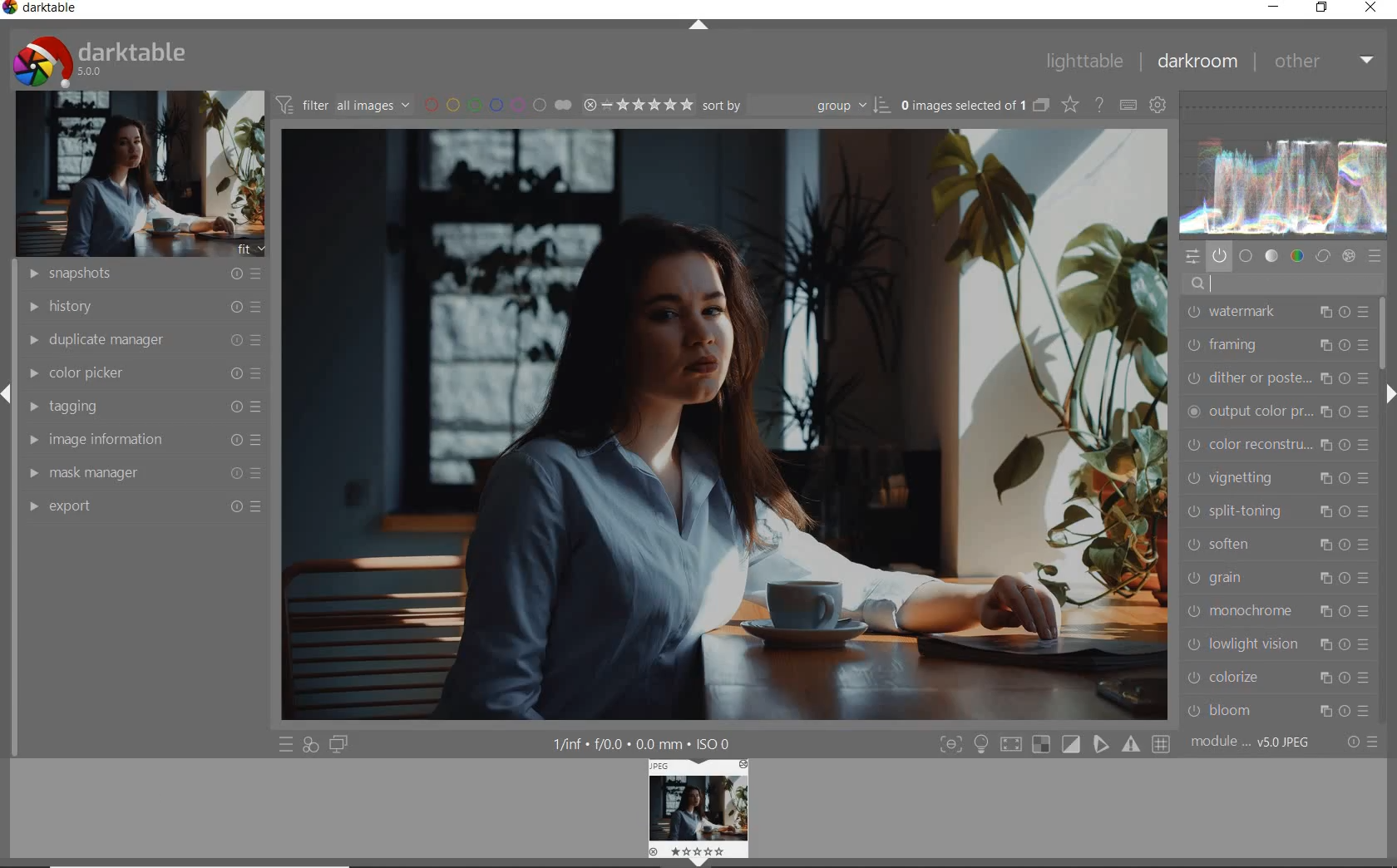 Image resolution: width=1397 pixels, height=868 pixels. What do you see at coordinates (47, 9) in the screenshot?
I see `darktable` at bounding box center [47, 9].